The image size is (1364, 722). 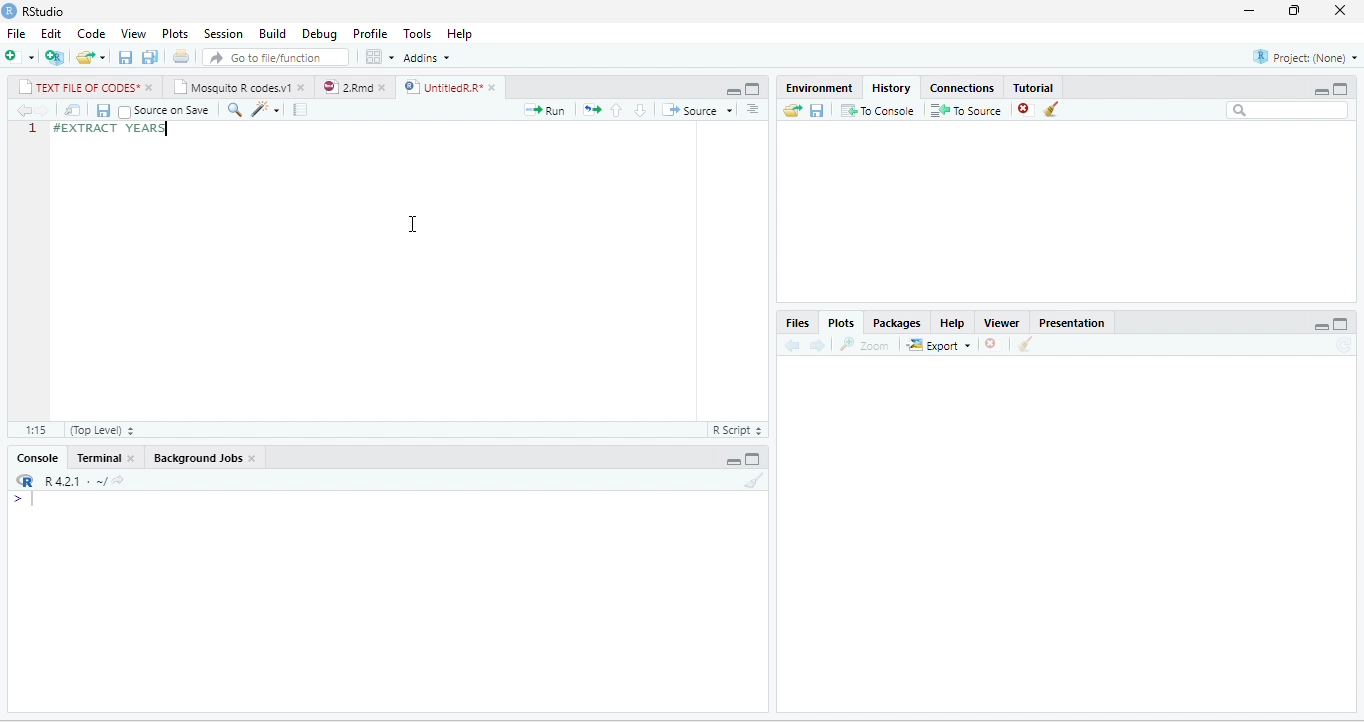 What do you see at coordinates (232, 87) in the screenshot?
I see `Mosquito R codes.v1` at bounding box center [232, 87].